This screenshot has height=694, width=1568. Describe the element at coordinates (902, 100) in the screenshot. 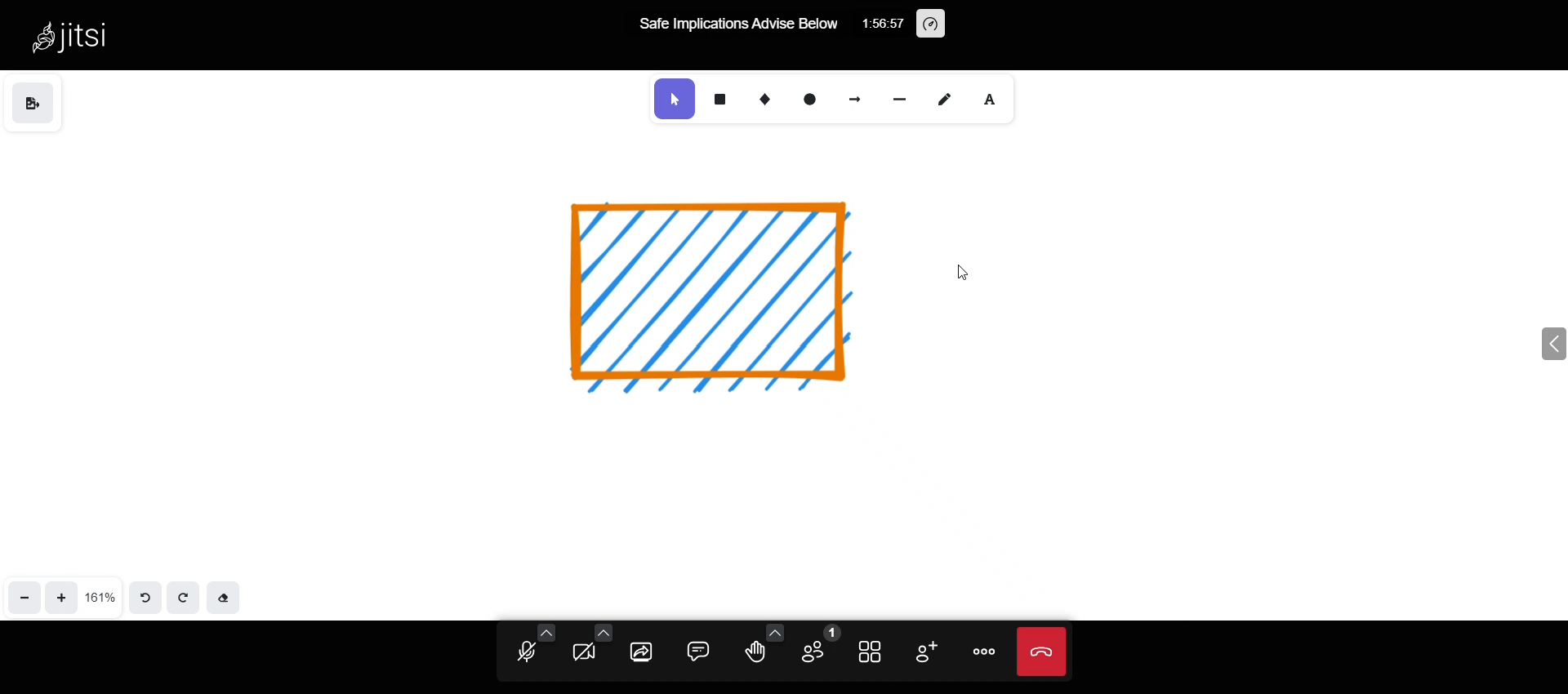

I see `line` at that location.